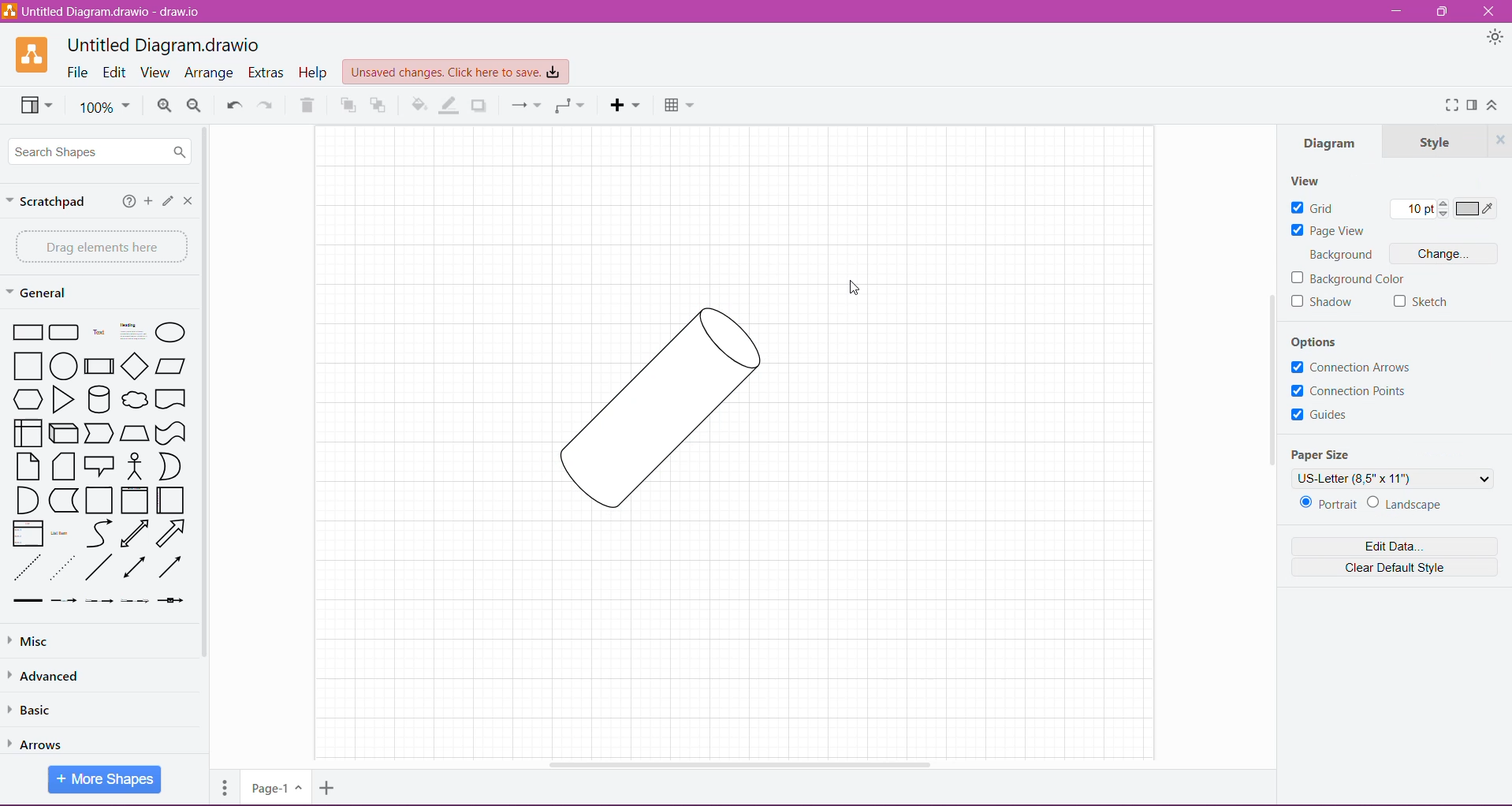 Image resolution: width=1512 pixels, height=806 pixels. What do you see at coordinates (1323, 304) in the screenshot?
I see `Shadow` at bounding box center [1323, 304].